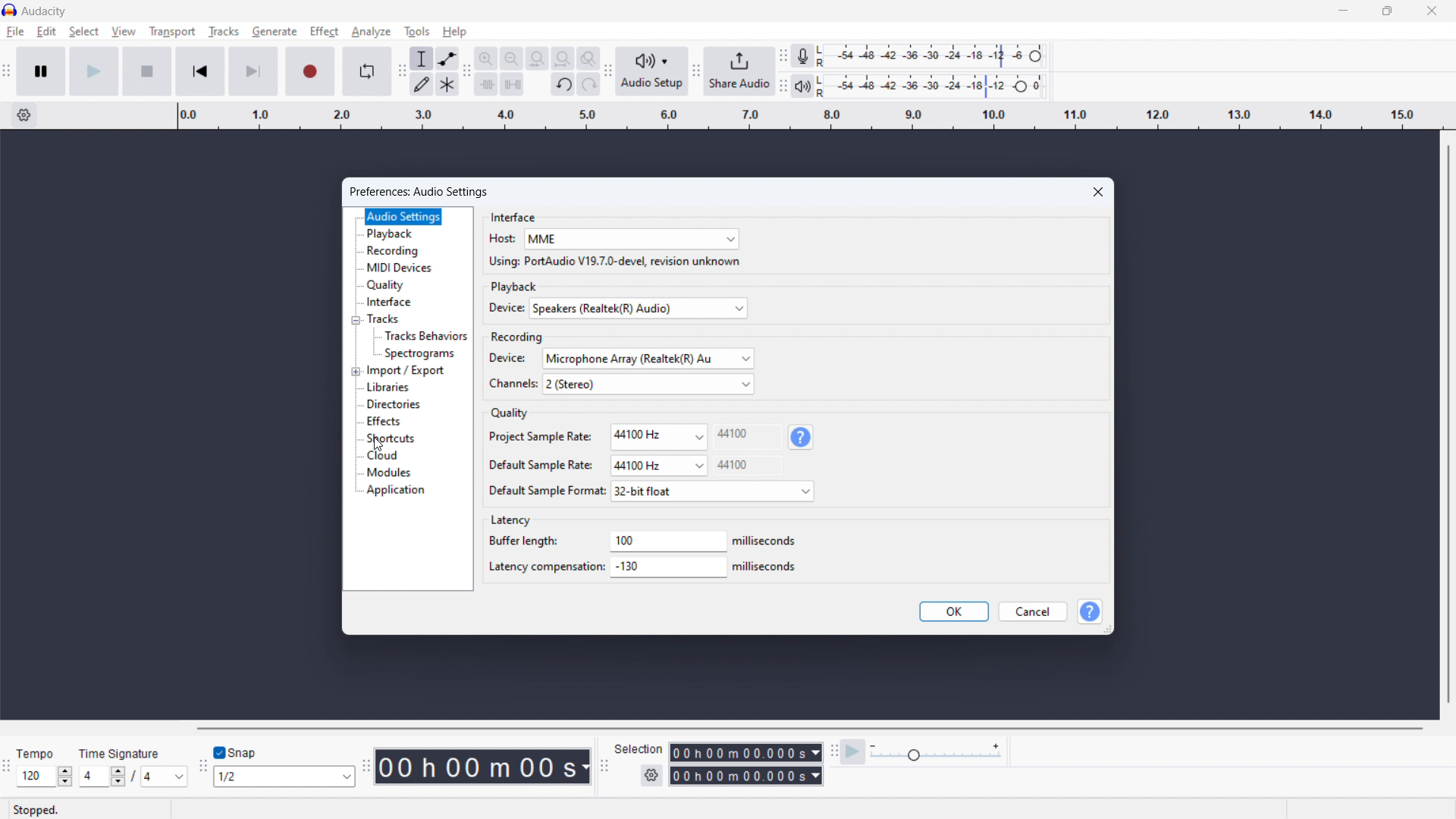  I want to click on Enables movement of time toolbar, so click(367, 767).